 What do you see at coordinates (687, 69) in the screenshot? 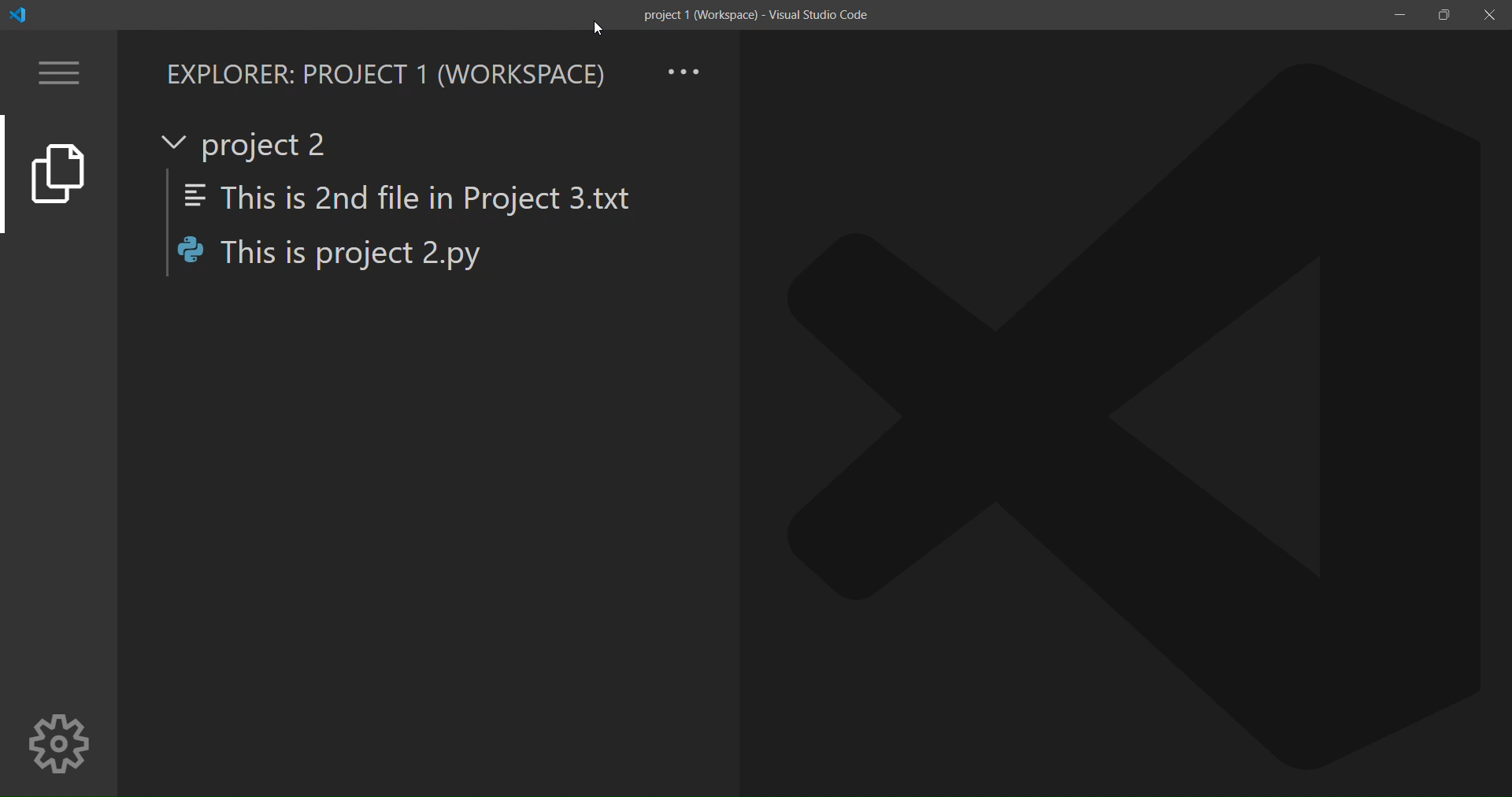
I see `view and more actions` at bounding box center [687, 69].